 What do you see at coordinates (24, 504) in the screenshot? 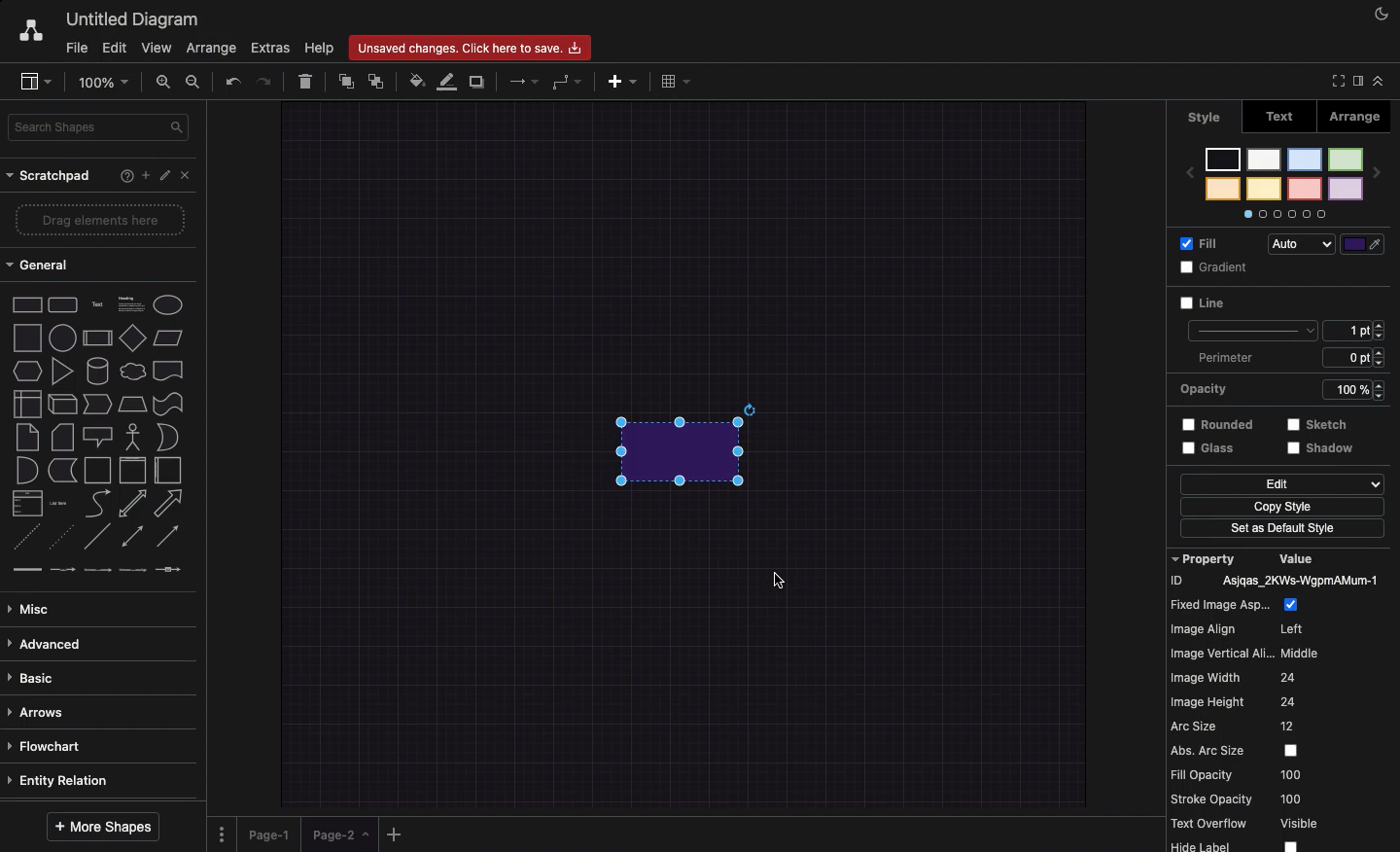
I see `list` at bounding box center [24, 504].